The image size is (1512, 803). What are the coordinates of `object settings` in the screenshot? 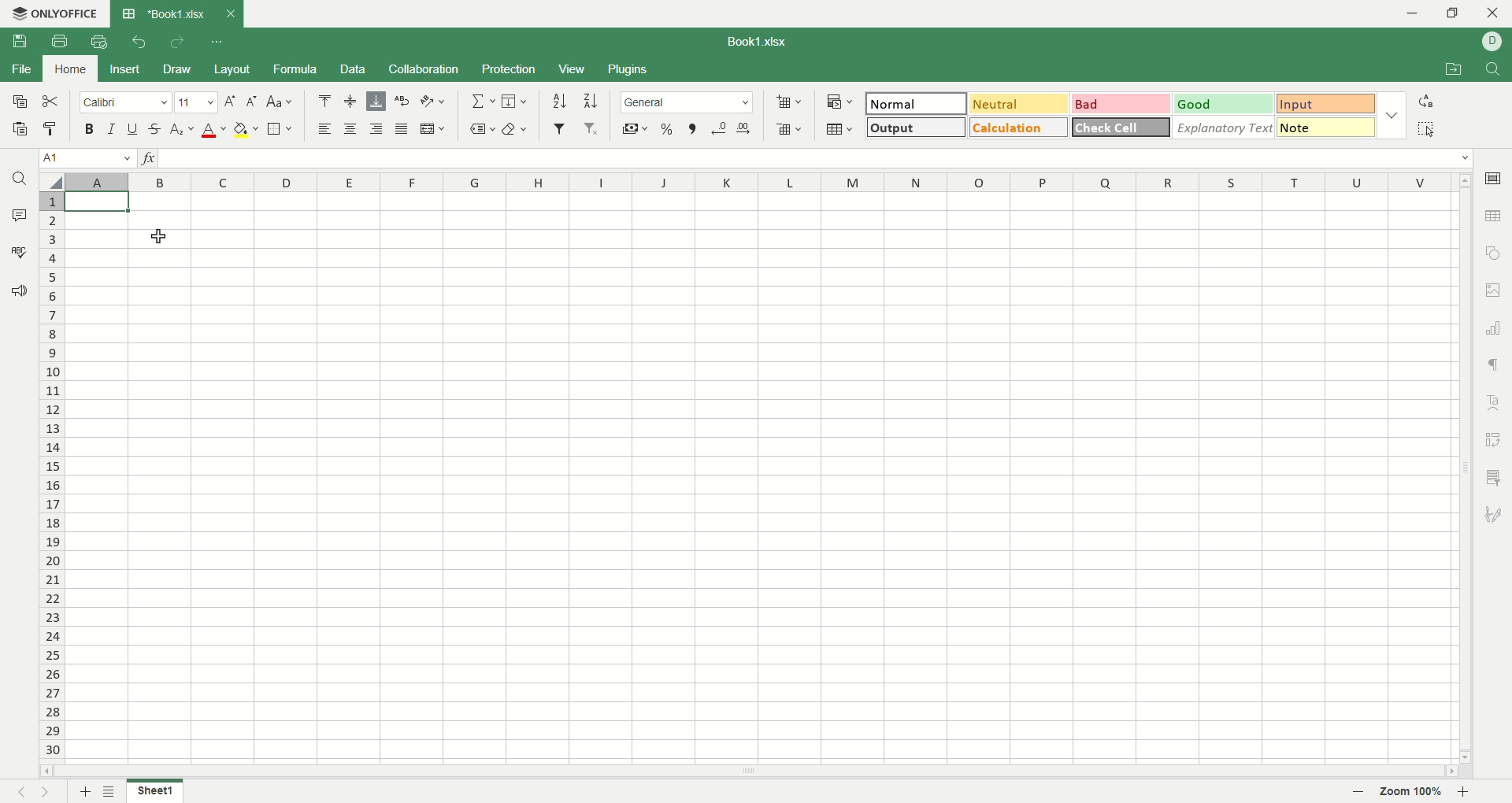 It's located at (1492, 252).